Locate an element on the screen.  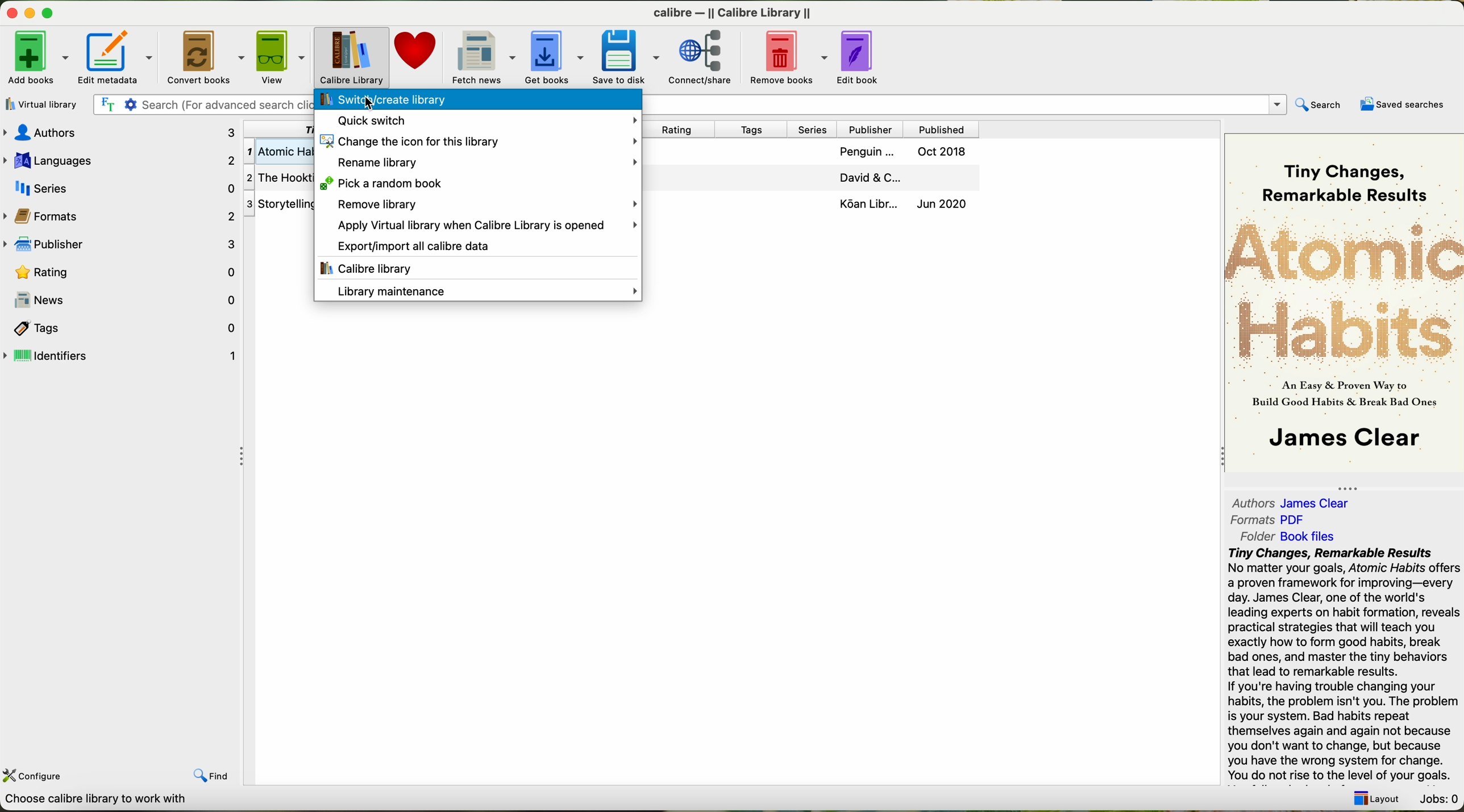
calibre library is located at coordinates (477, 268).